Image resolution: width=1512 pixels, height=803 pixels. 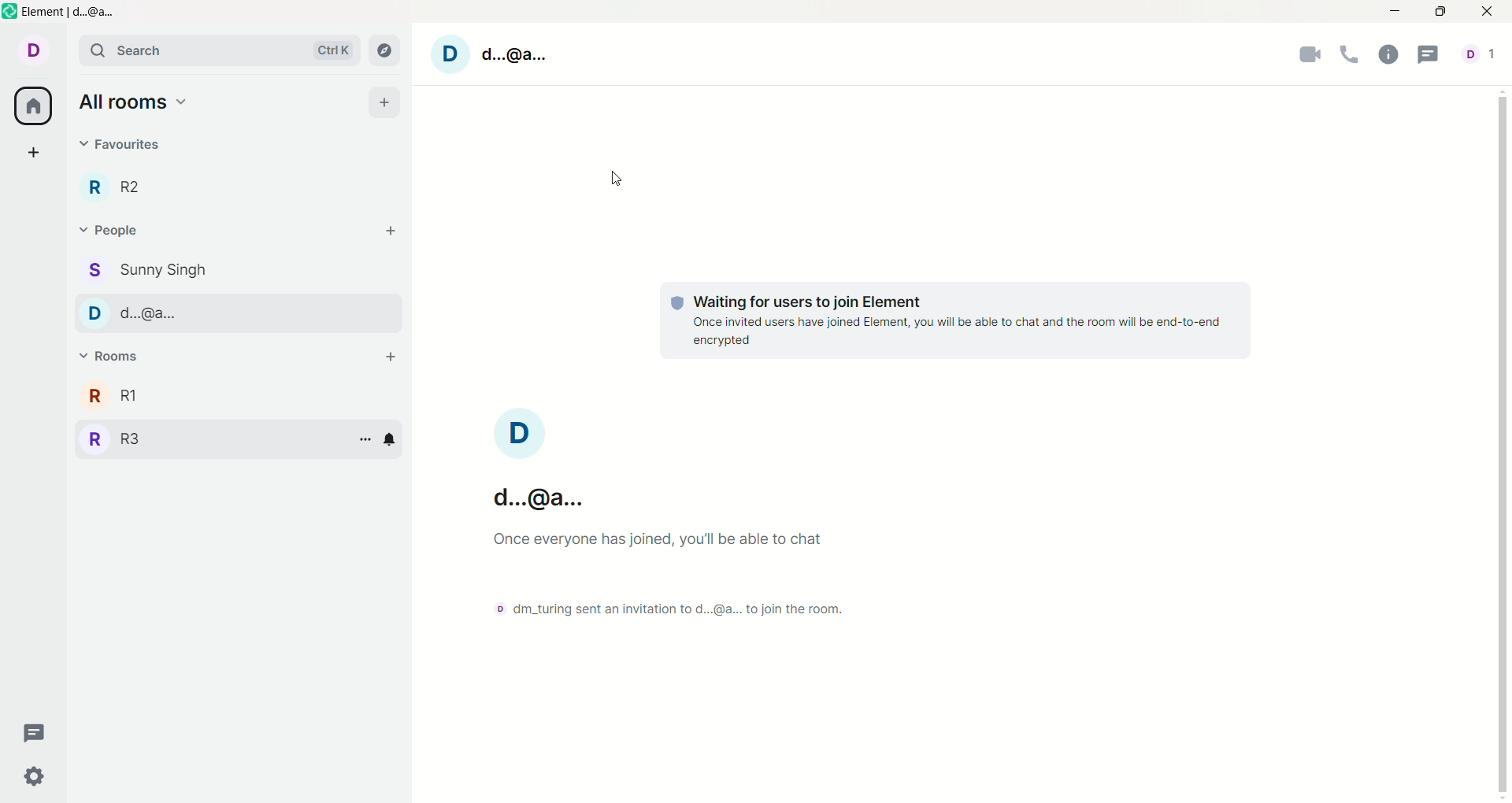 What do you see at coordinates (955, 316) in the screenshot?
I see `text` at bounding box center [955, 316].